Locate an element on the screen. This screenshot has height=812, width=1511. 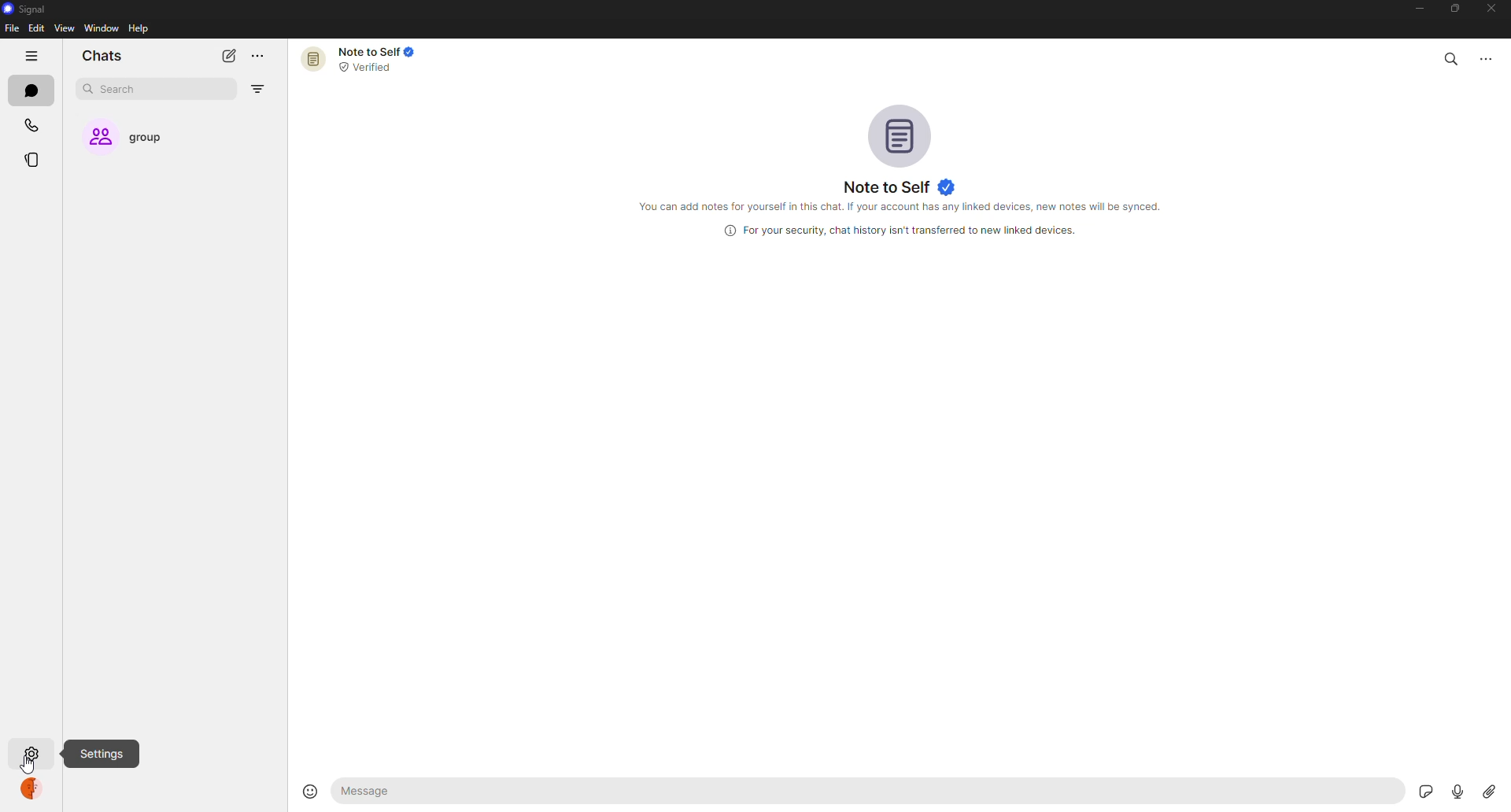
note to self is located at coordinates (365, 58).